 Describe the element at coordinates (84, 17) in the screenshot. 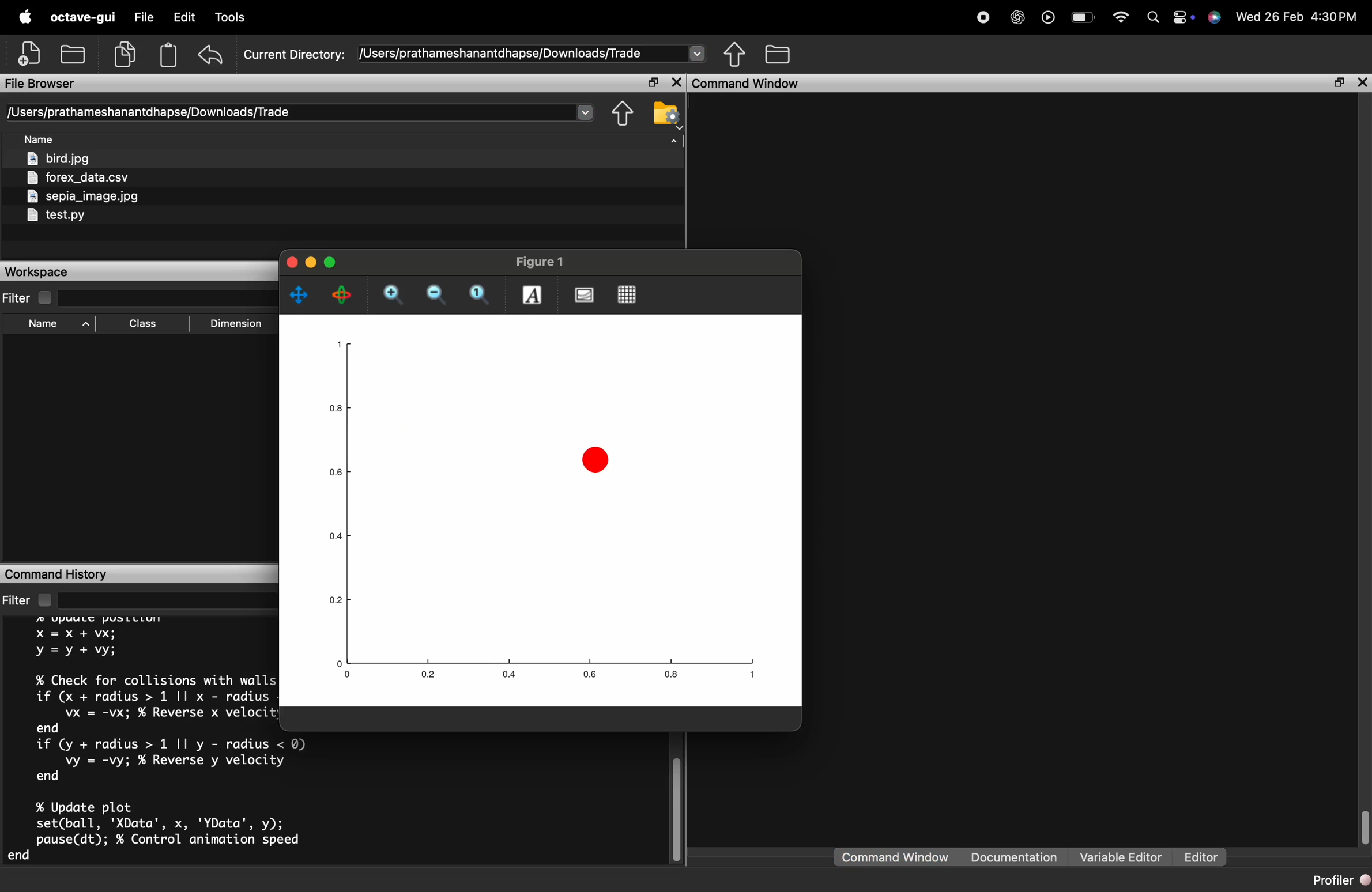

I see `octave-gui` at that location.